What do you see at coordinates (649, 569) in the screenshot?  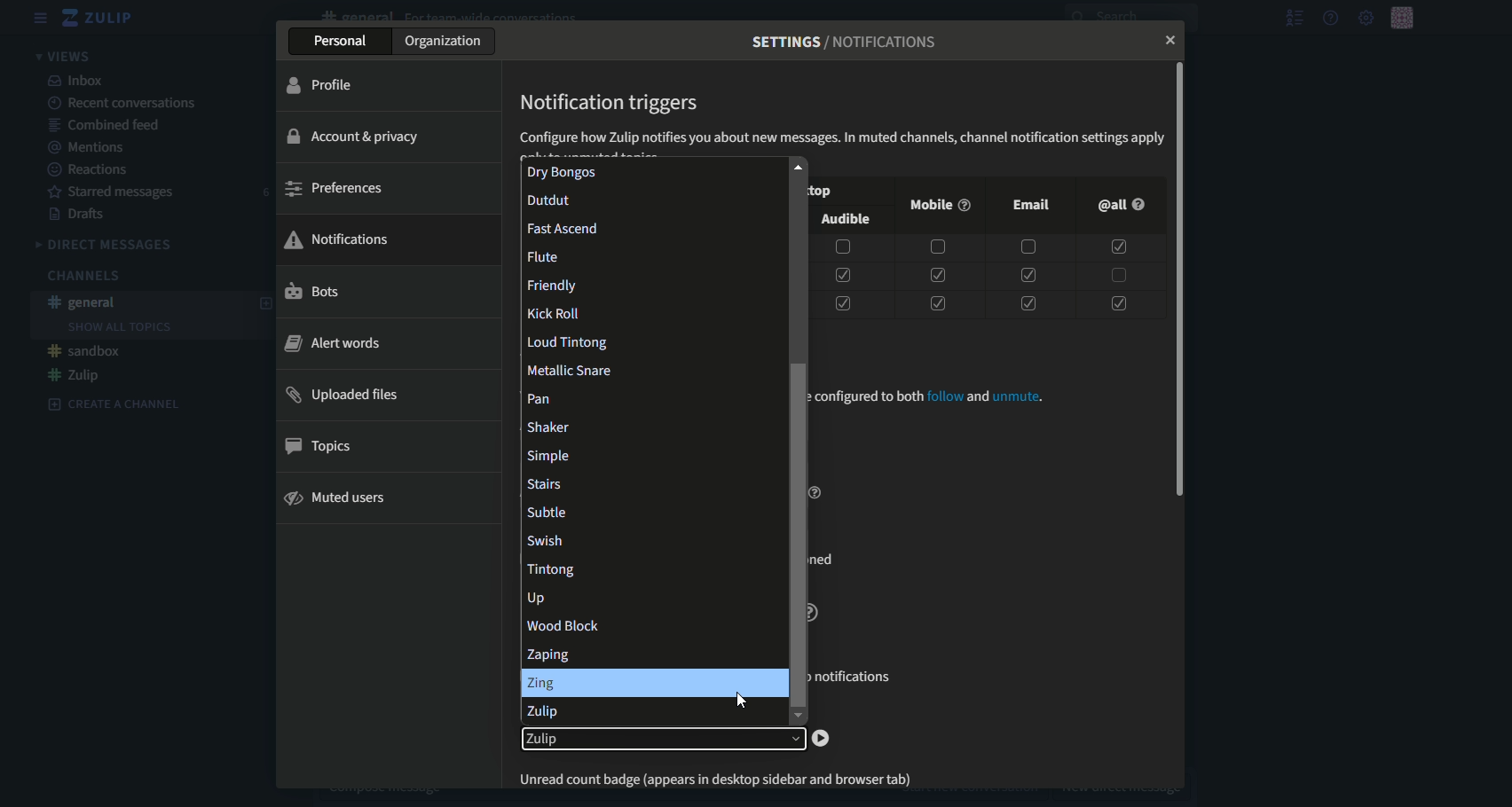 I see `tintong` at bounding box center [649, 569].